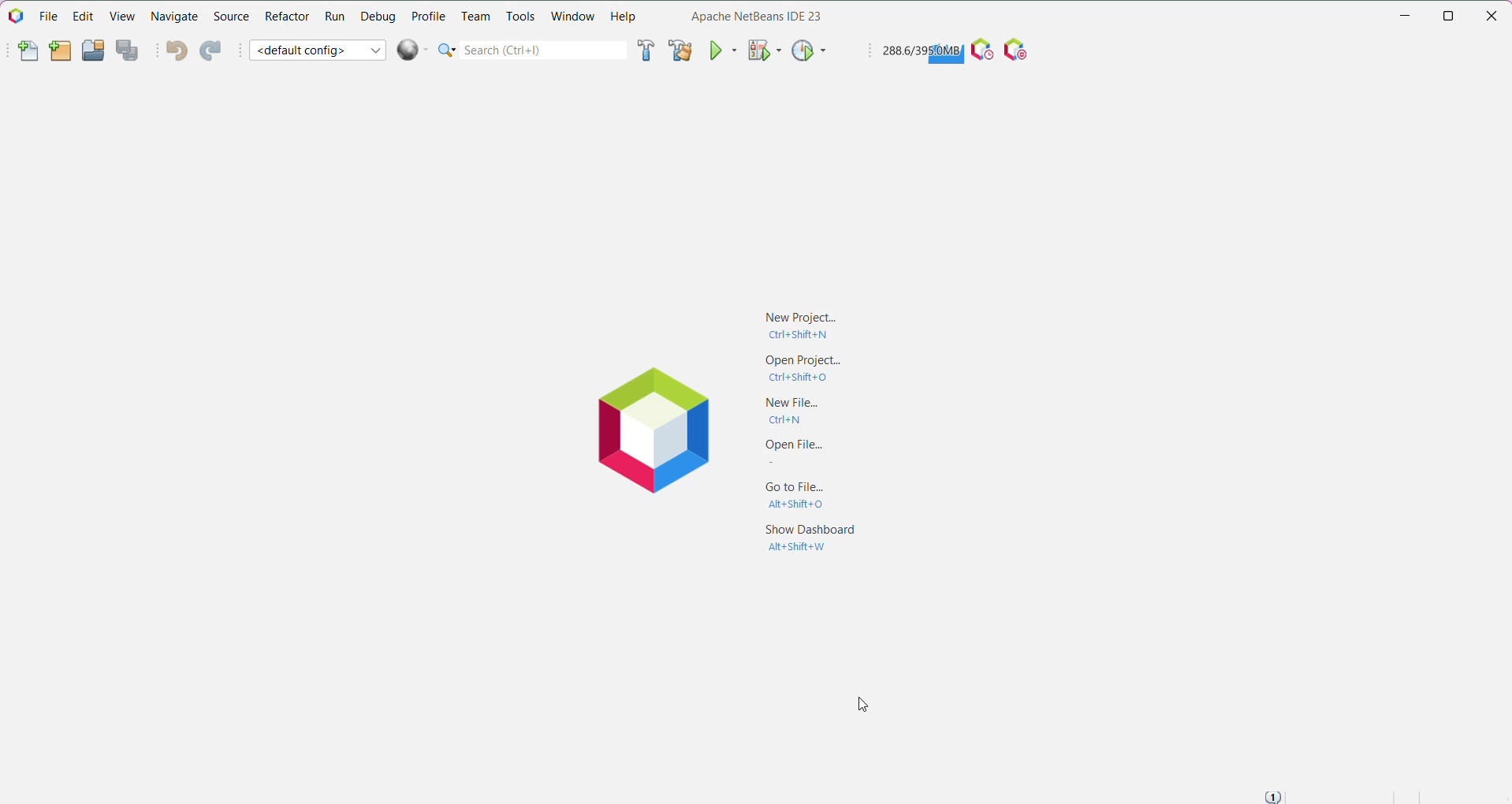  What do you see at coordinates (650, 433) in the screenshot?
I see `Application Logo` at bounding box center [650, 433].